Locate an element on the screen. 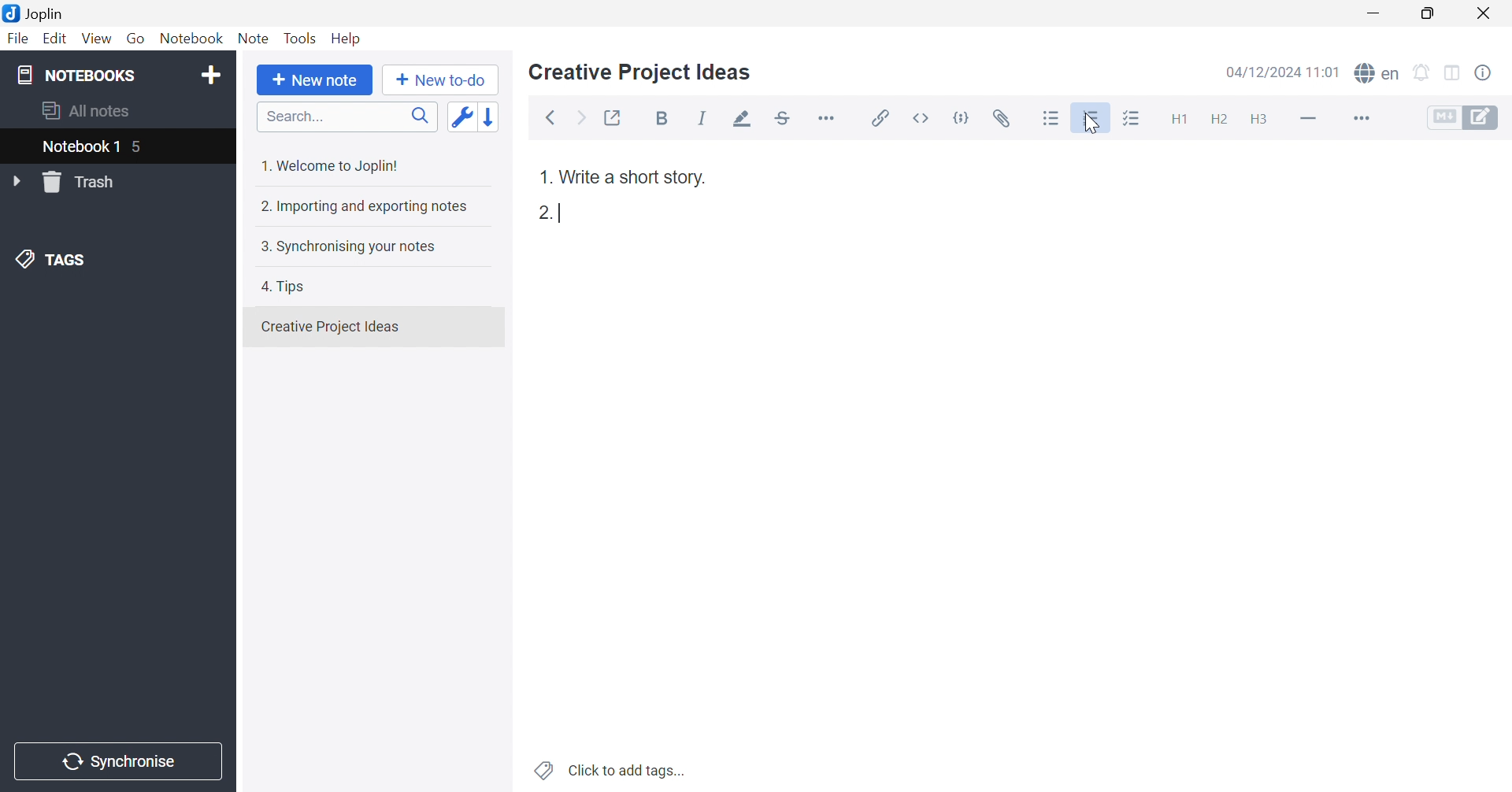 This screenshot has width=1512, height=792. Go is located at coordinates (138, 38).